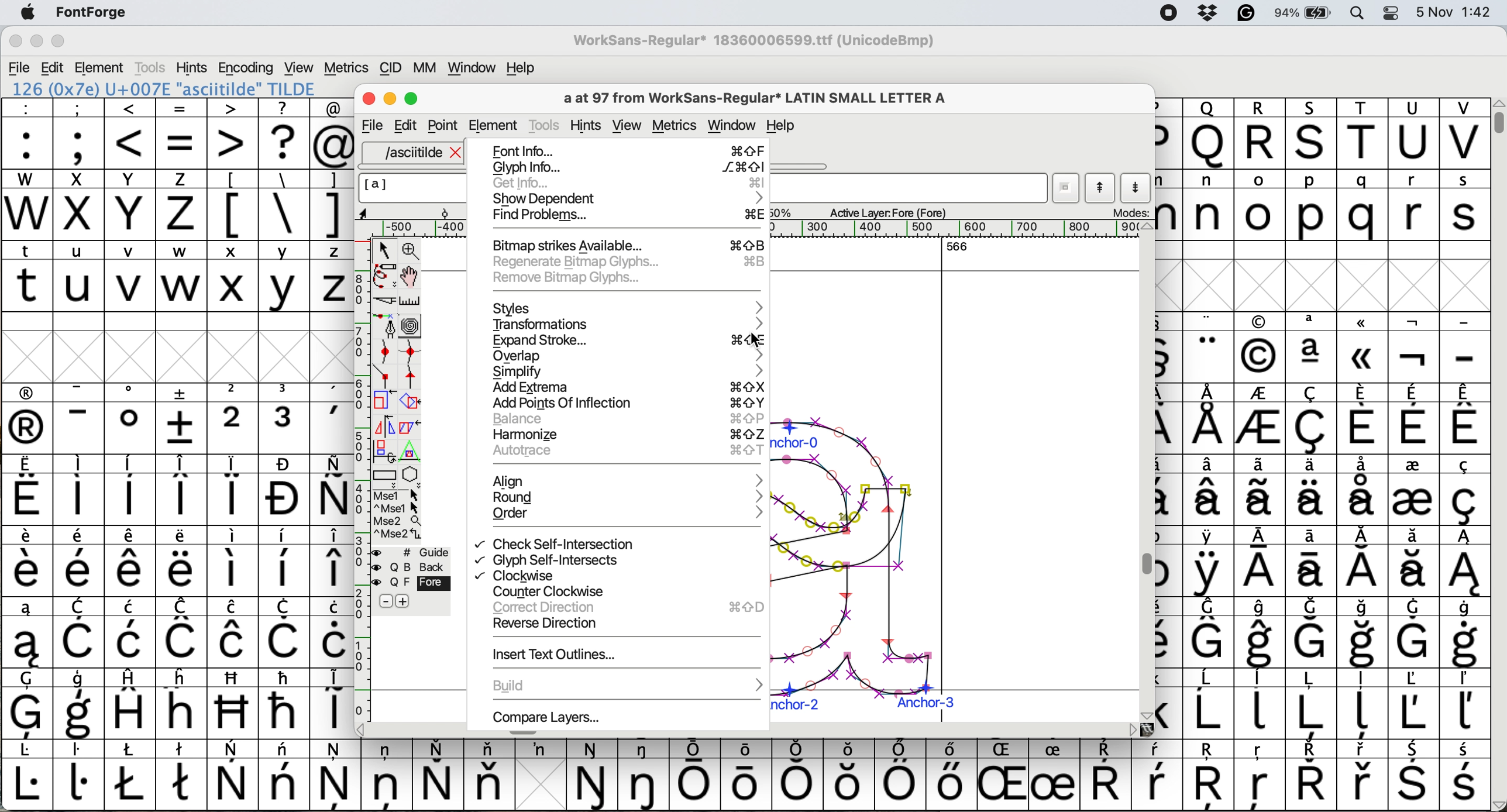 The image size is (1507, 812). I want to click on active layer, so click(886, 212).